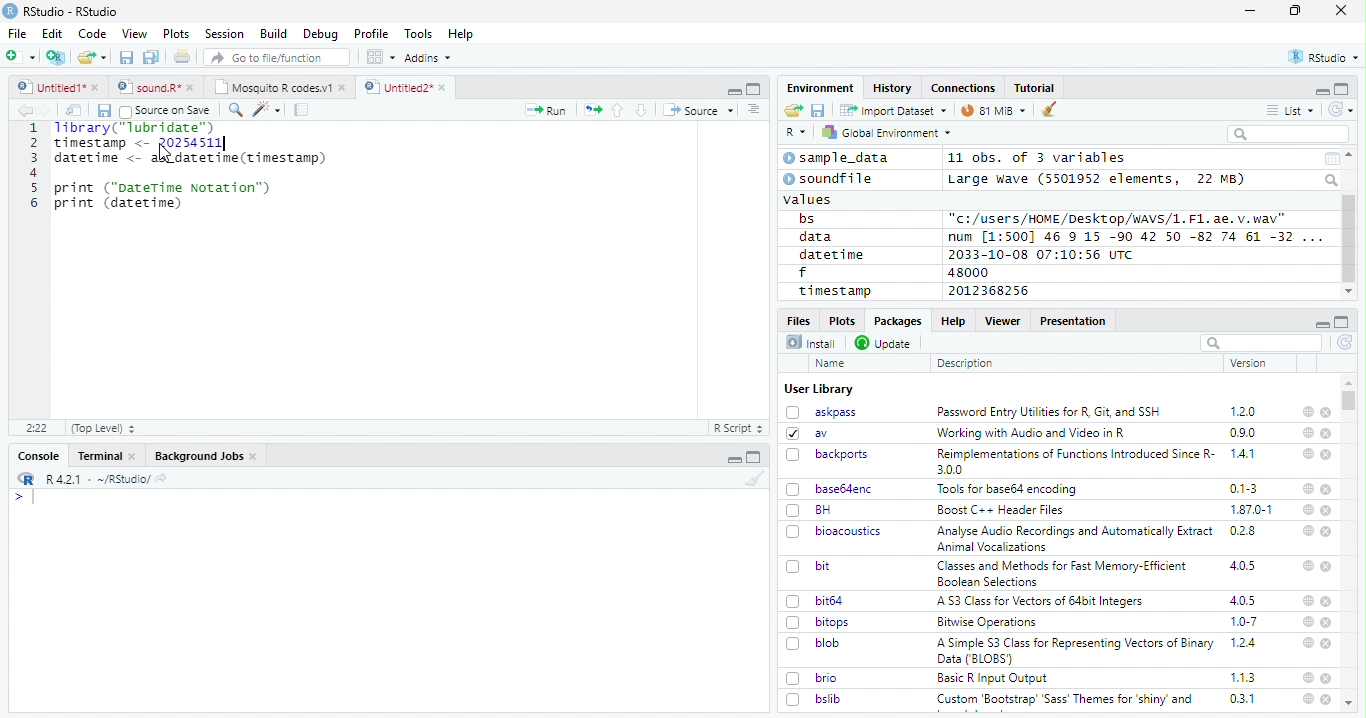 The height and width of the screenshot is (718, 1366). Describe the element at coordinates (733, 89) in the screenshot. I see `minimize` at that location.